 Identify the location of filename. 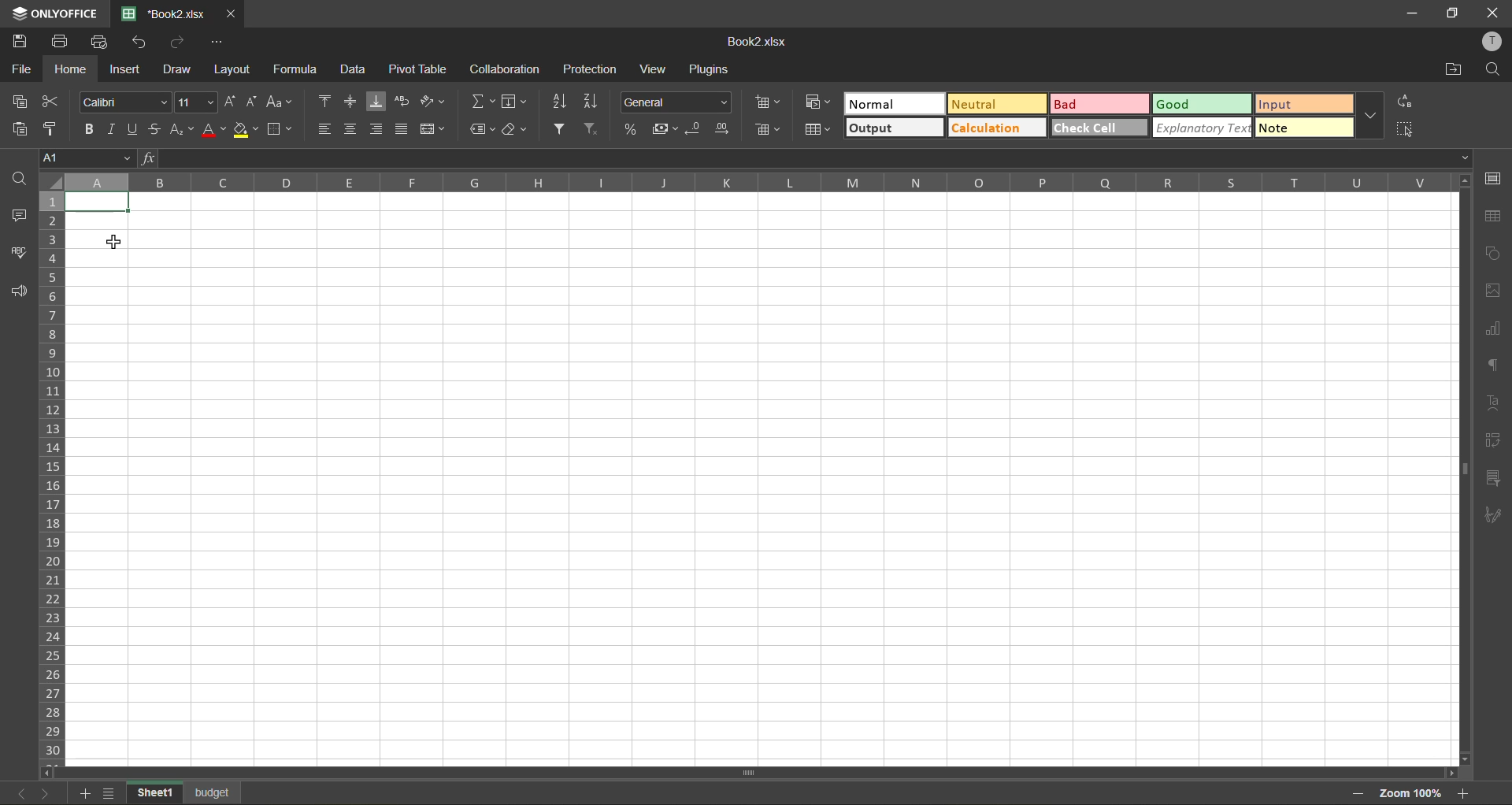
(760, 40).